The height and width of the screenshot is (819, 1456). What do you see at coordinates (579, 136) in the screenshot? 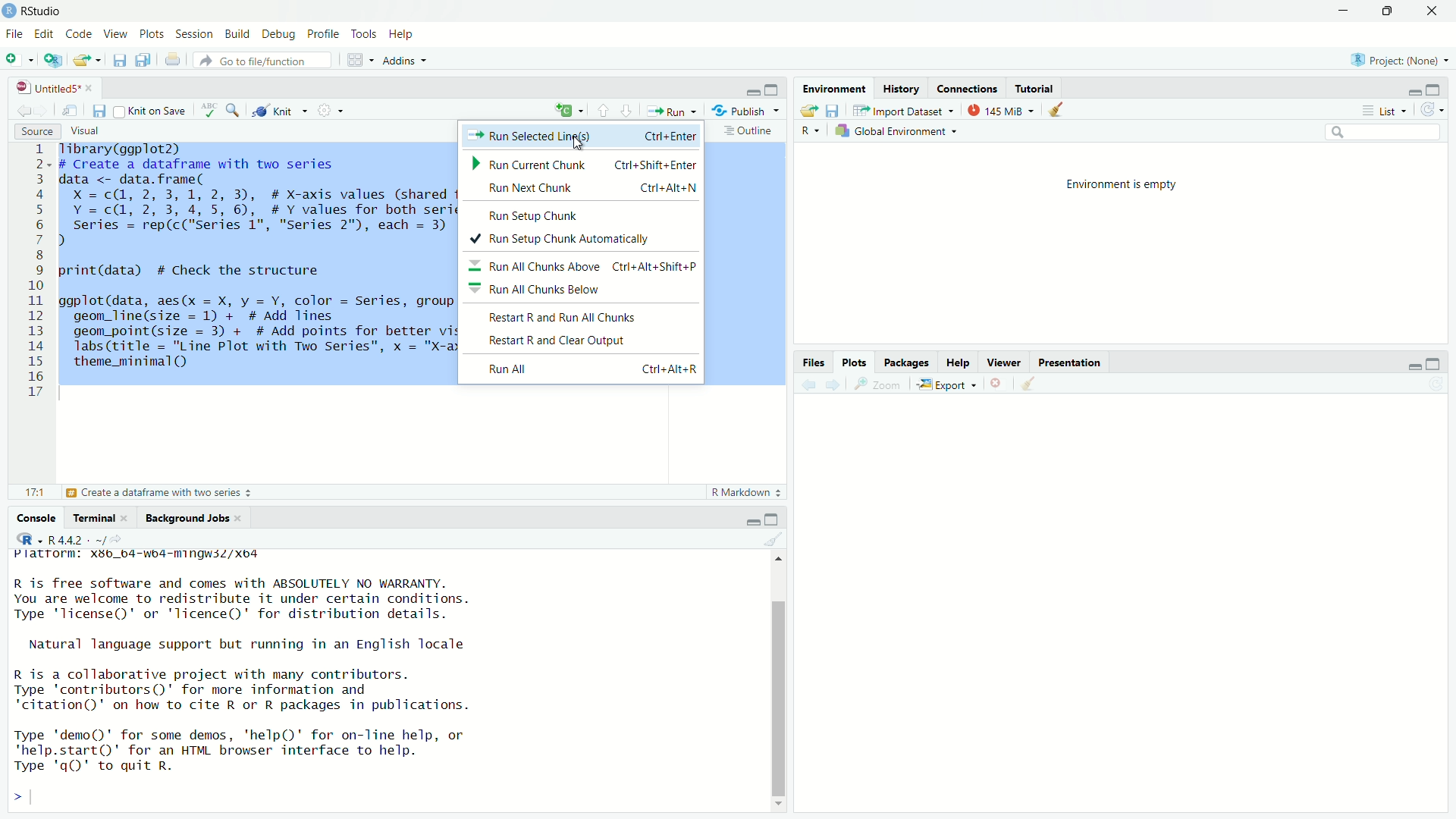
I see `Run Selected Line's` at bounding box center [579, 136].